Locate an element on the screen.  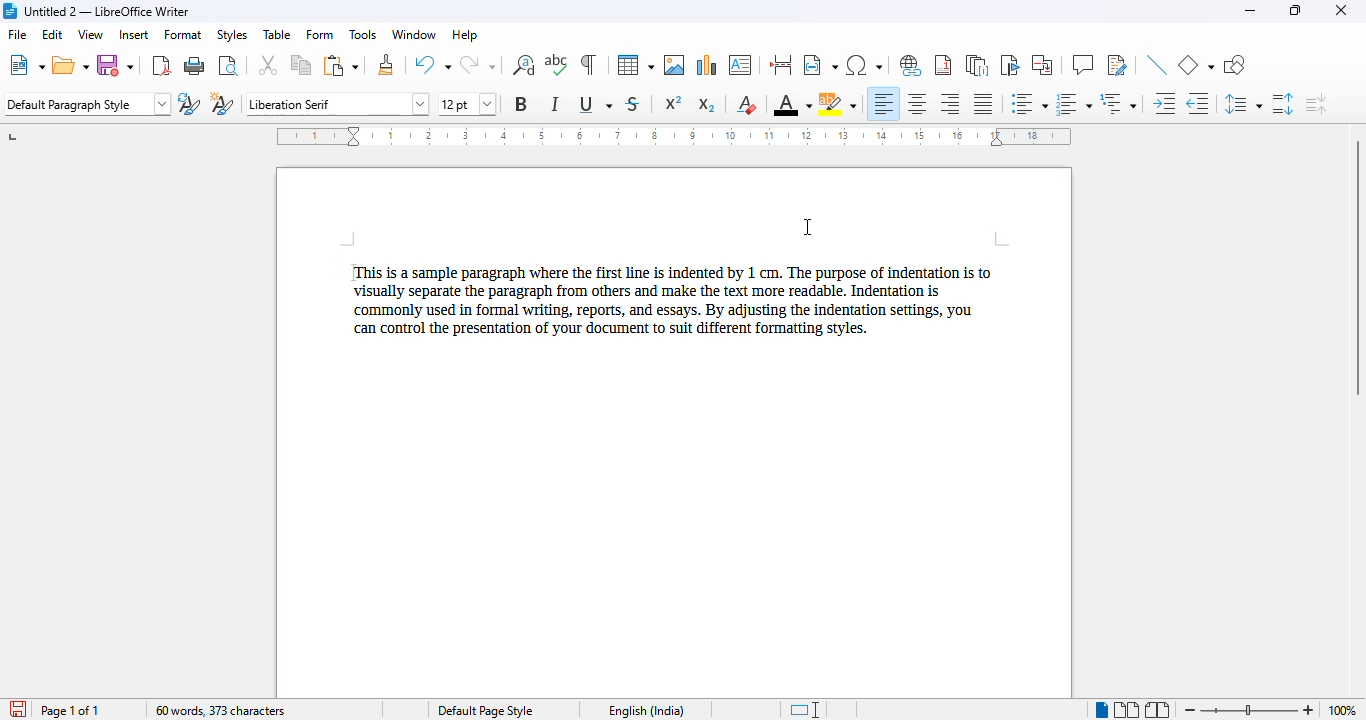
insert footnote is located at coordinates (943, 65).